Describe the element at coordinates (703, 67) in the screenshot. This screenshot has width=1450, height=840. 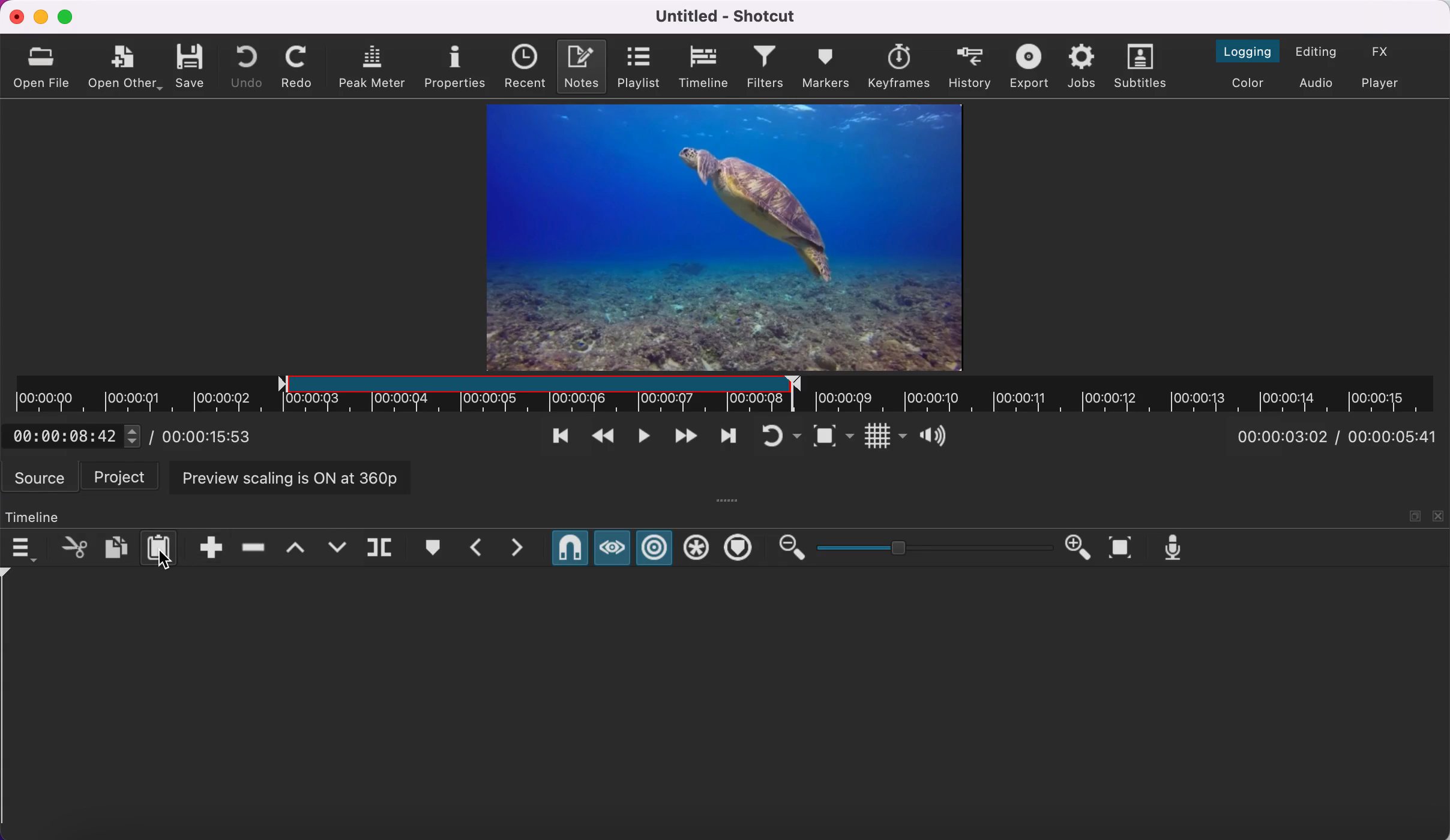
I see `timeline` at that location.